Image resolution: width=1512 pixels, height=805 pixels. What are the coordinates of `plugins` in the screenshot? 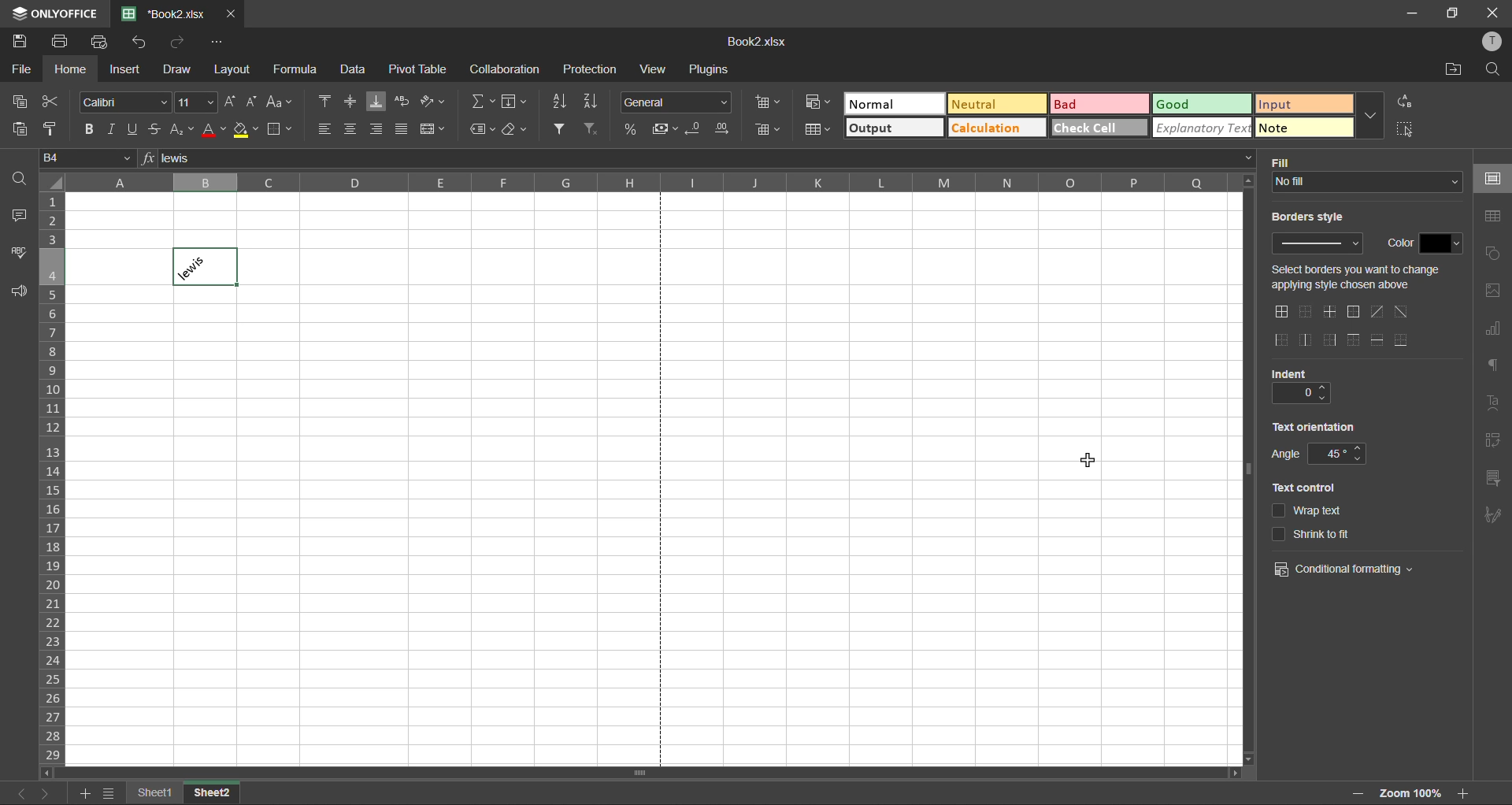 It's located at (711, 69).